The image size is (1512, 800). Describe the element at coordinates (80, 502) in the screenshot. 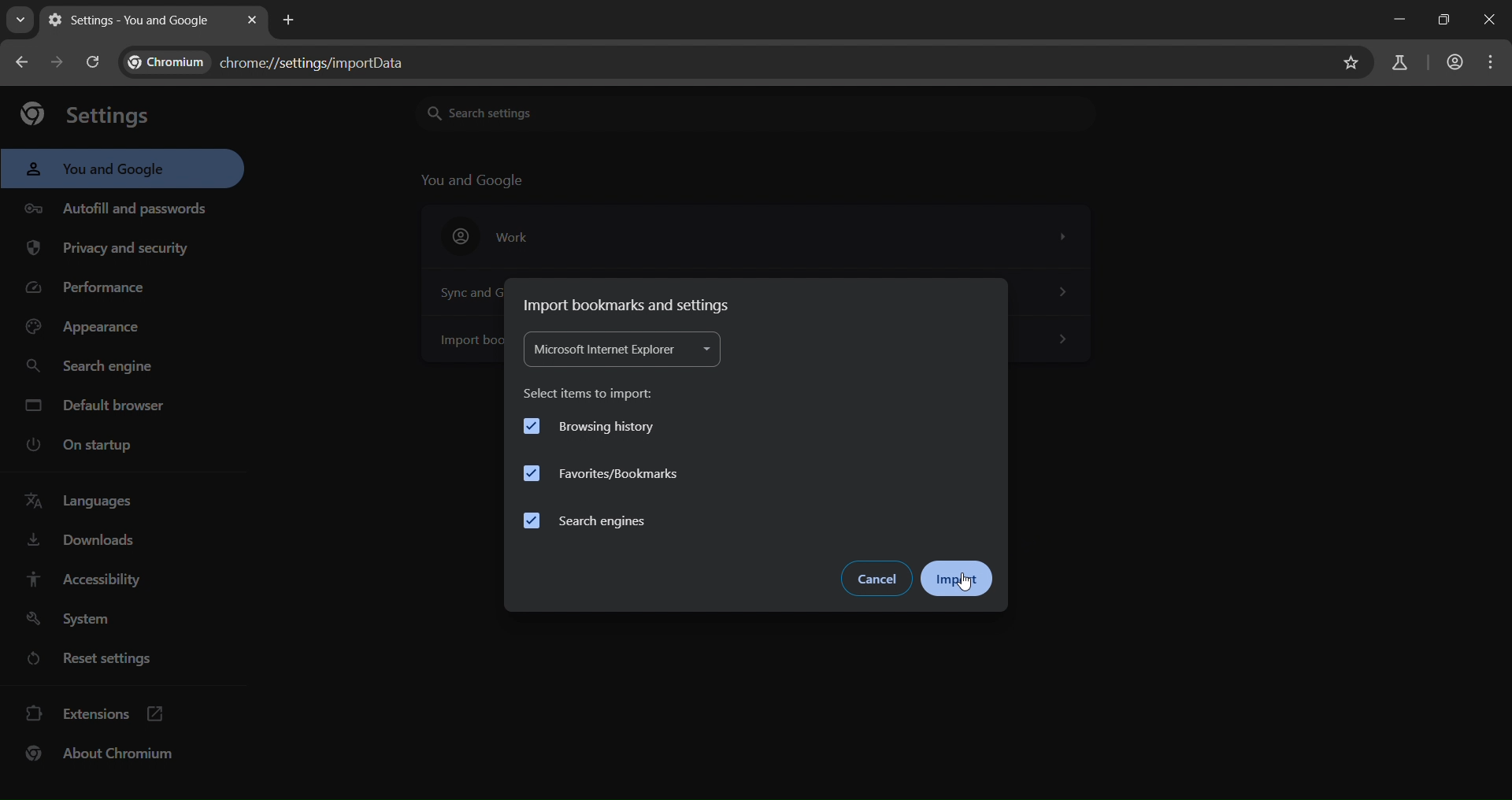

I see `languages` at that location.